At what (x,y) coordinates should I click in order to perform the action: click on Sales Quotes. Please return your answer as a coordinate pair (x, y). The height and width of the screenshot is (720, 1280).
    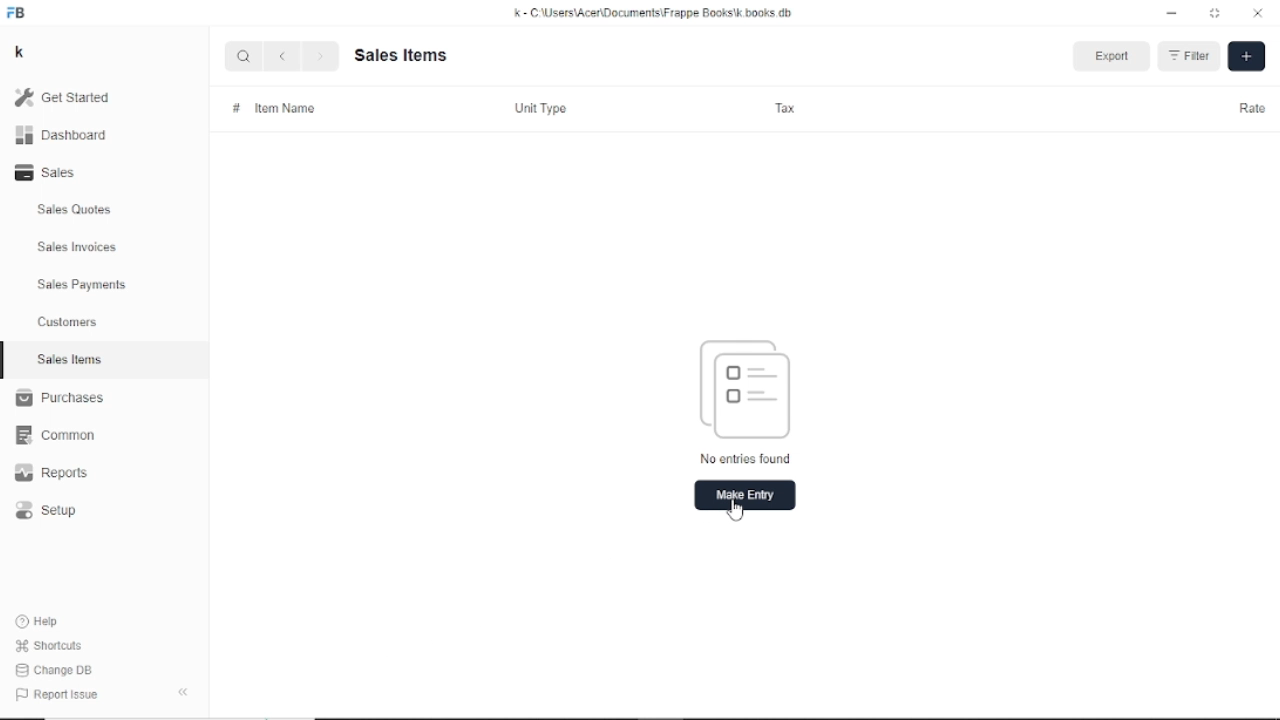
    Looking at the image, I should click on (76, 210).